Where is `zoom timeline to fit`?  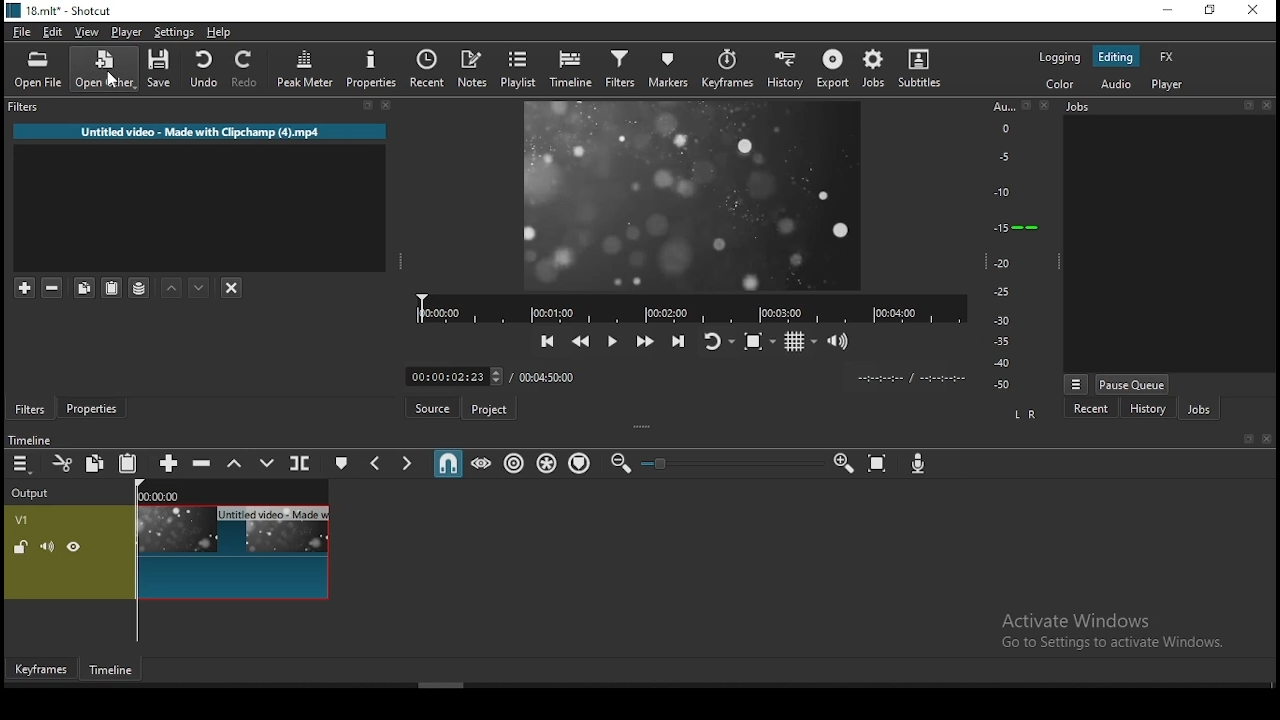
zoom timeline to fit is located at coordinates (877, 463).